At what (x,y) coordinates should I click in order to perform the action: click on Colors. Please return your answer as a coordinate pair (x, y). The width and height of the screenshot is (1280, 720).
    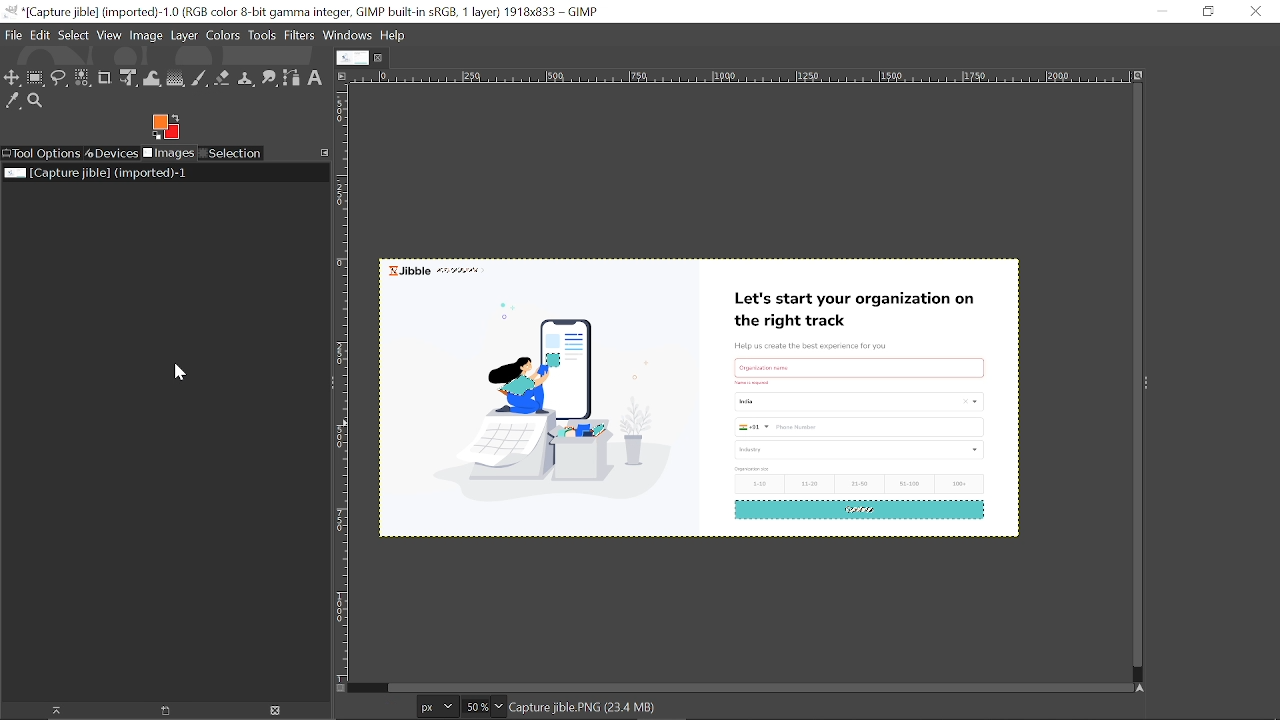
    Looking at the image, I should click on (224, 35).